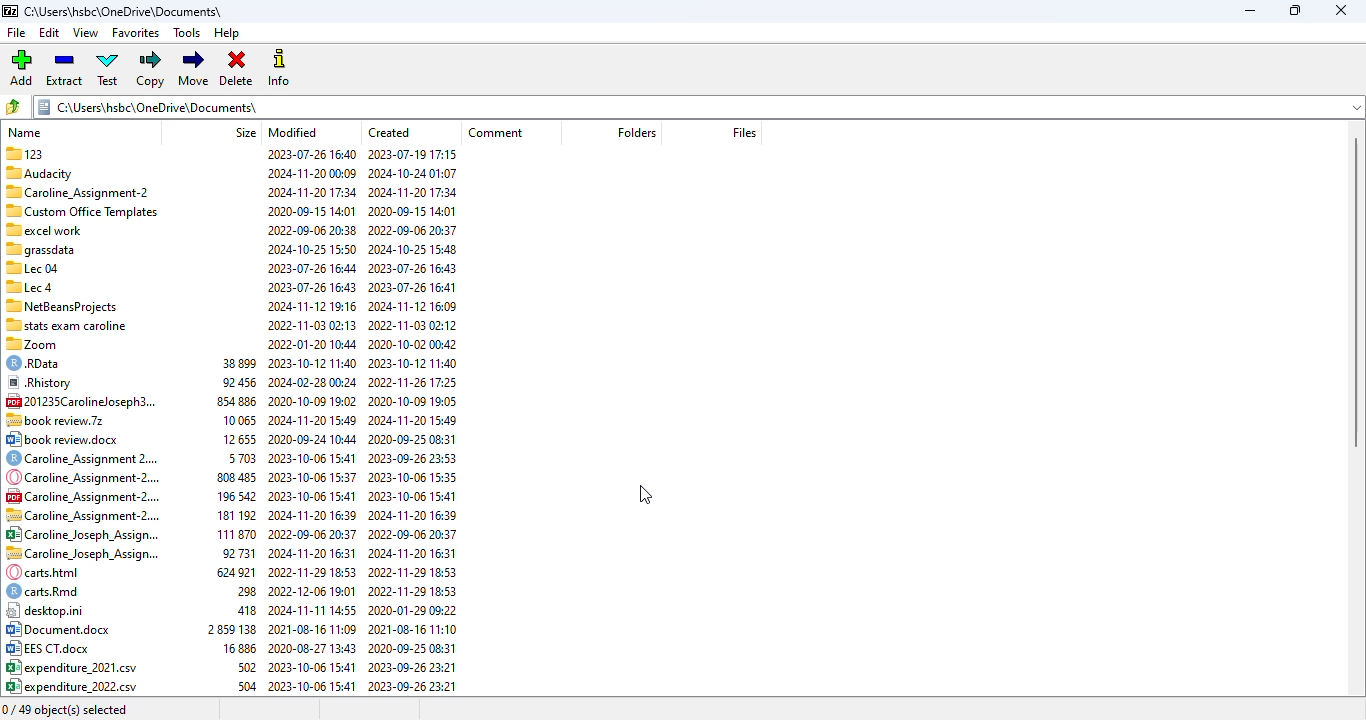 The height and width of the screenshot is (720, 1366). Describe the element at coordinates (1250, 11) in the screenshot. I see `minimize` at that location.